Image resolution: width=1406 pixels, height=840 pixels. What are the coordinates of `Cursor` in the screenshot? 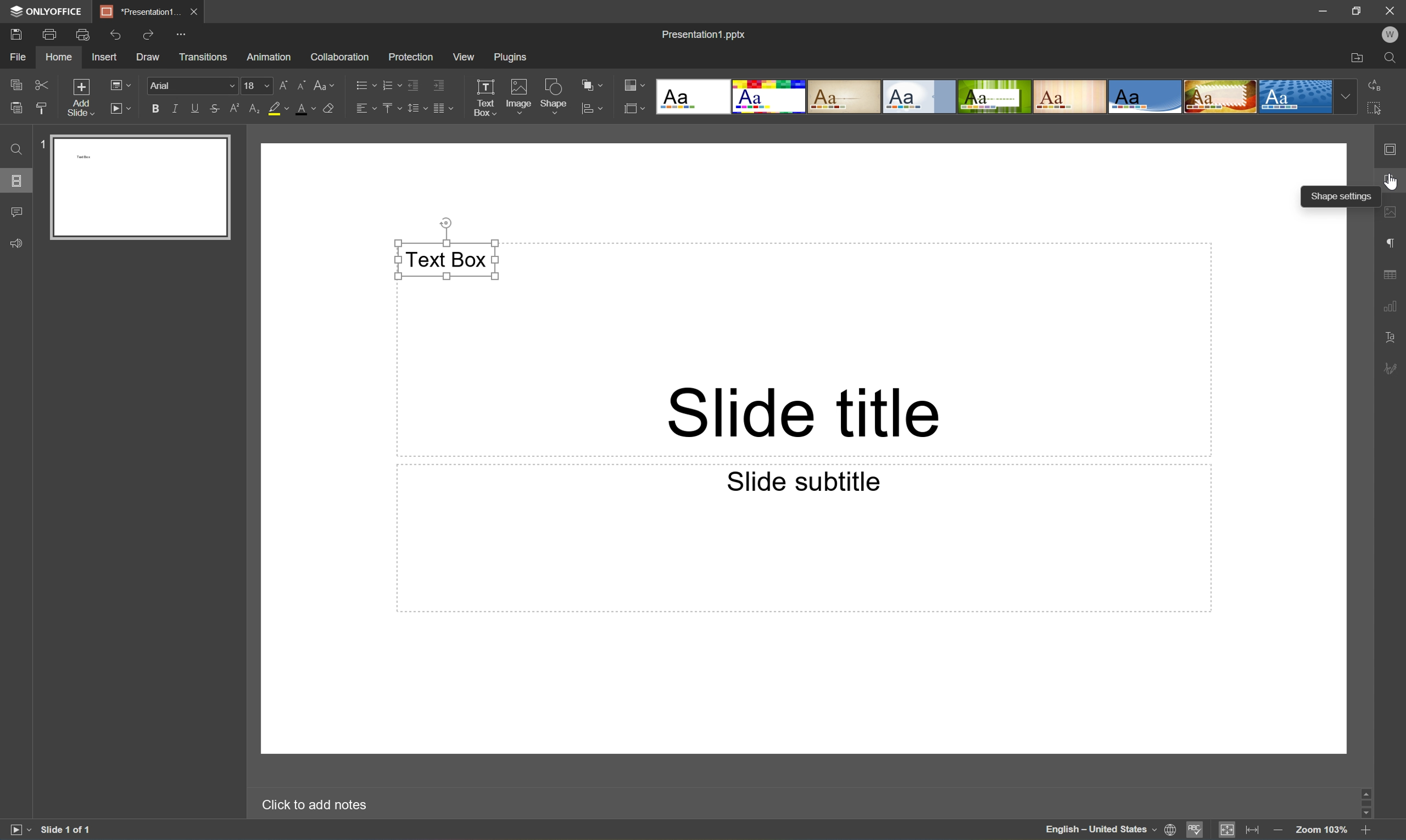 It's located at (1391, 181).